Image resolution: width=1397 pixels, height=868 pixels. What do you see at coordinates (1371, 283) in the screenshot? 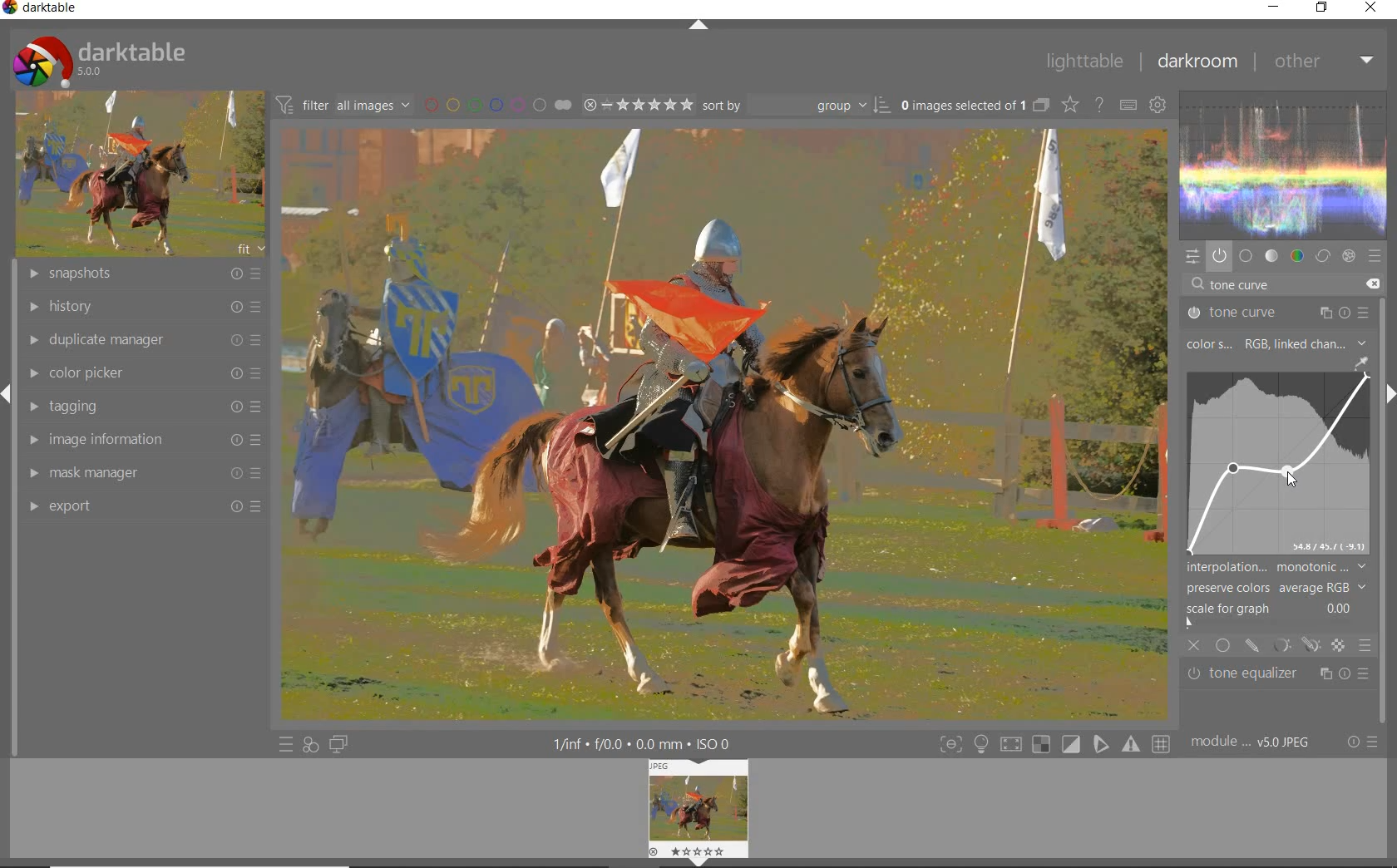
I see `delete` at bounding box center [1371, 283].